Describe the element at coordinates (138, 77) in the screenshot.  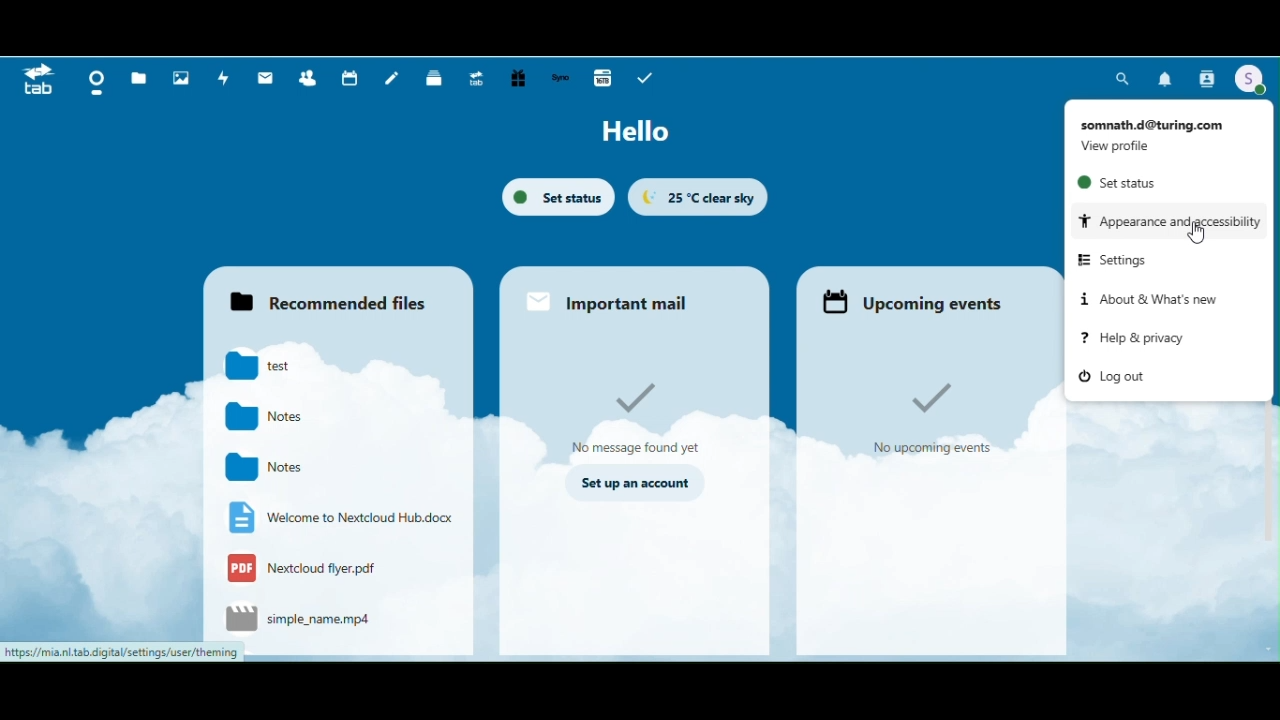
I see `Files` at that location.